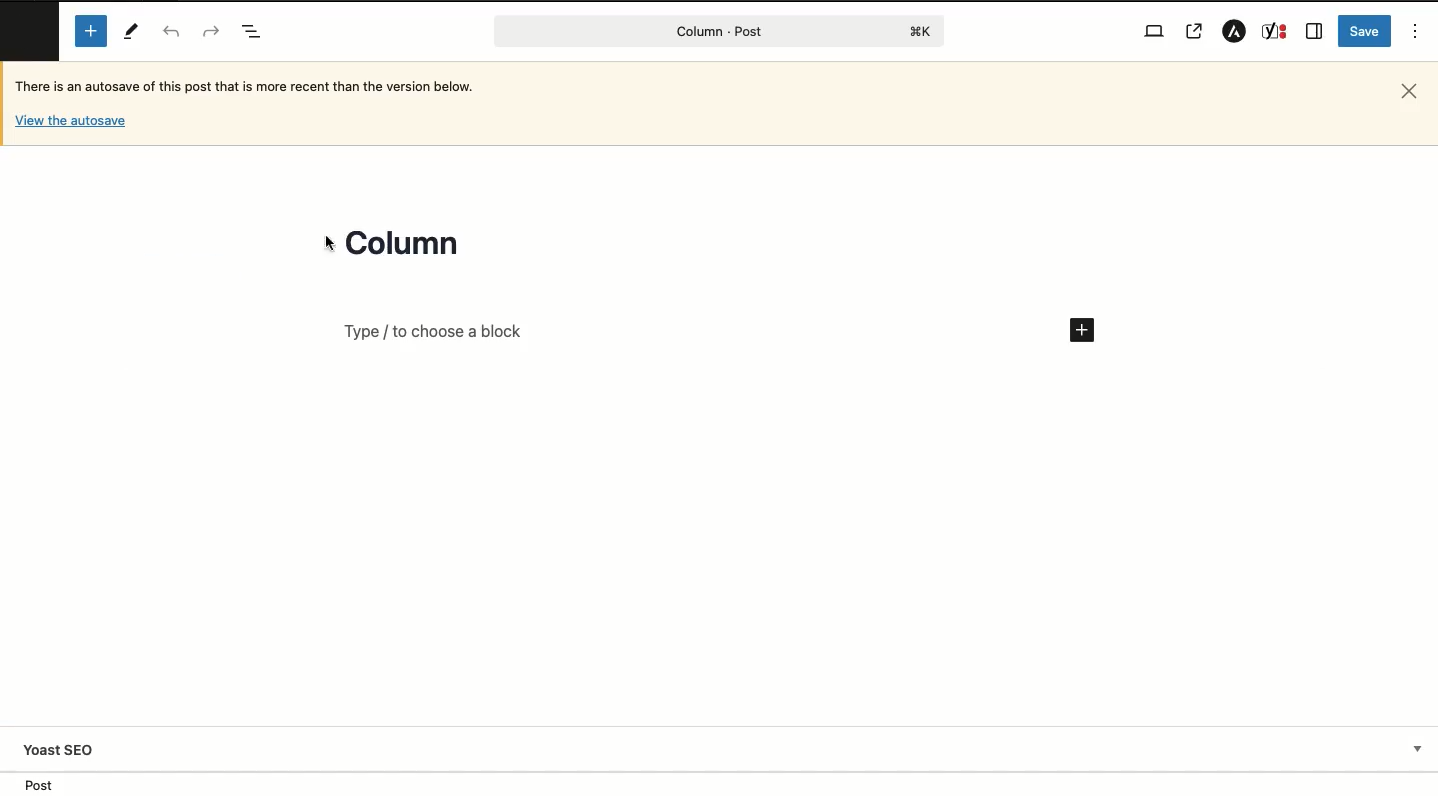 This screenshot has width=1438, height=796. Describe the element at coordinates (1315, 32) in the screenshot. I see `Sidebar` at that location.